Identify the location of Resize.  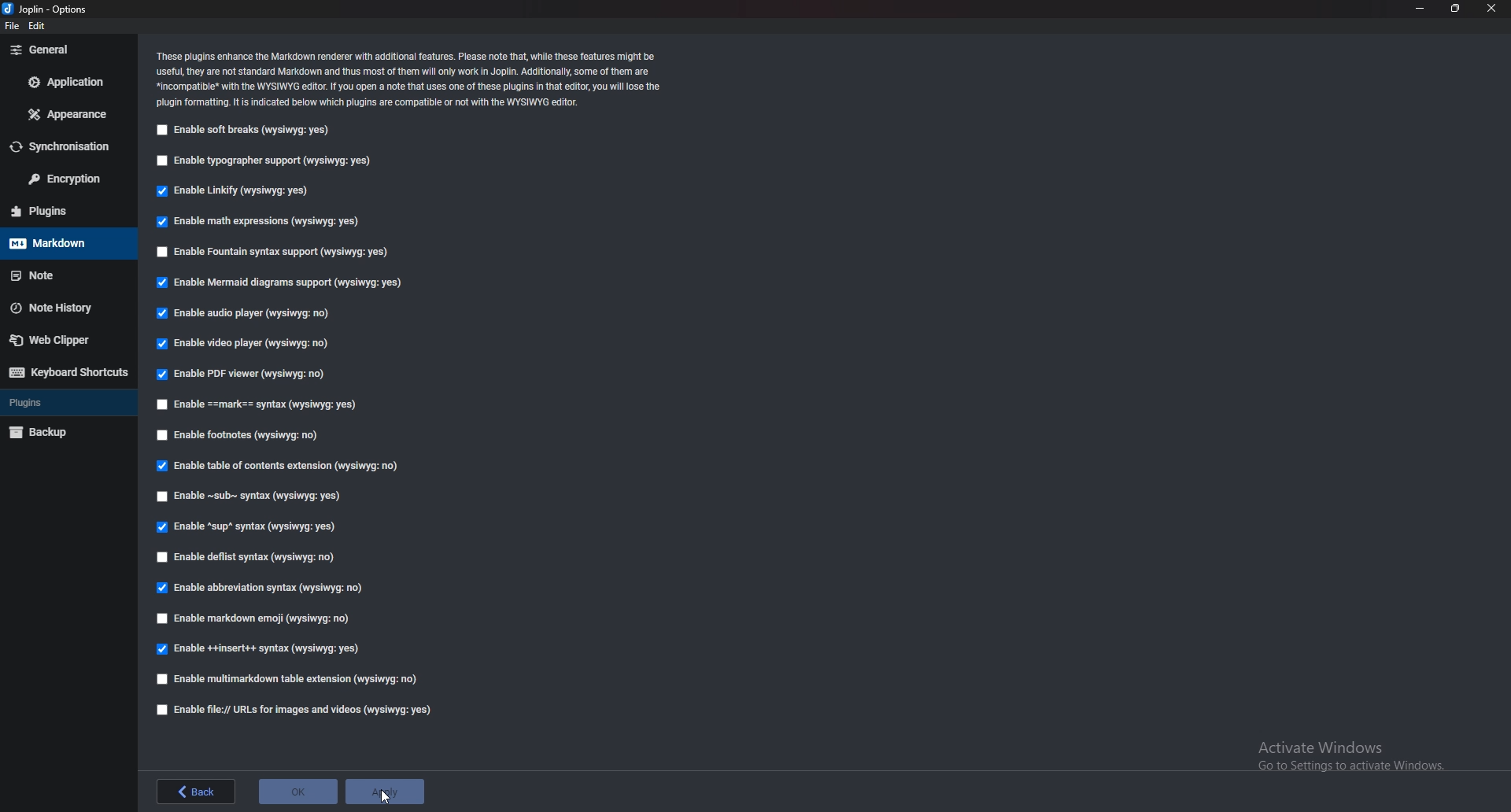
(1454, 8).